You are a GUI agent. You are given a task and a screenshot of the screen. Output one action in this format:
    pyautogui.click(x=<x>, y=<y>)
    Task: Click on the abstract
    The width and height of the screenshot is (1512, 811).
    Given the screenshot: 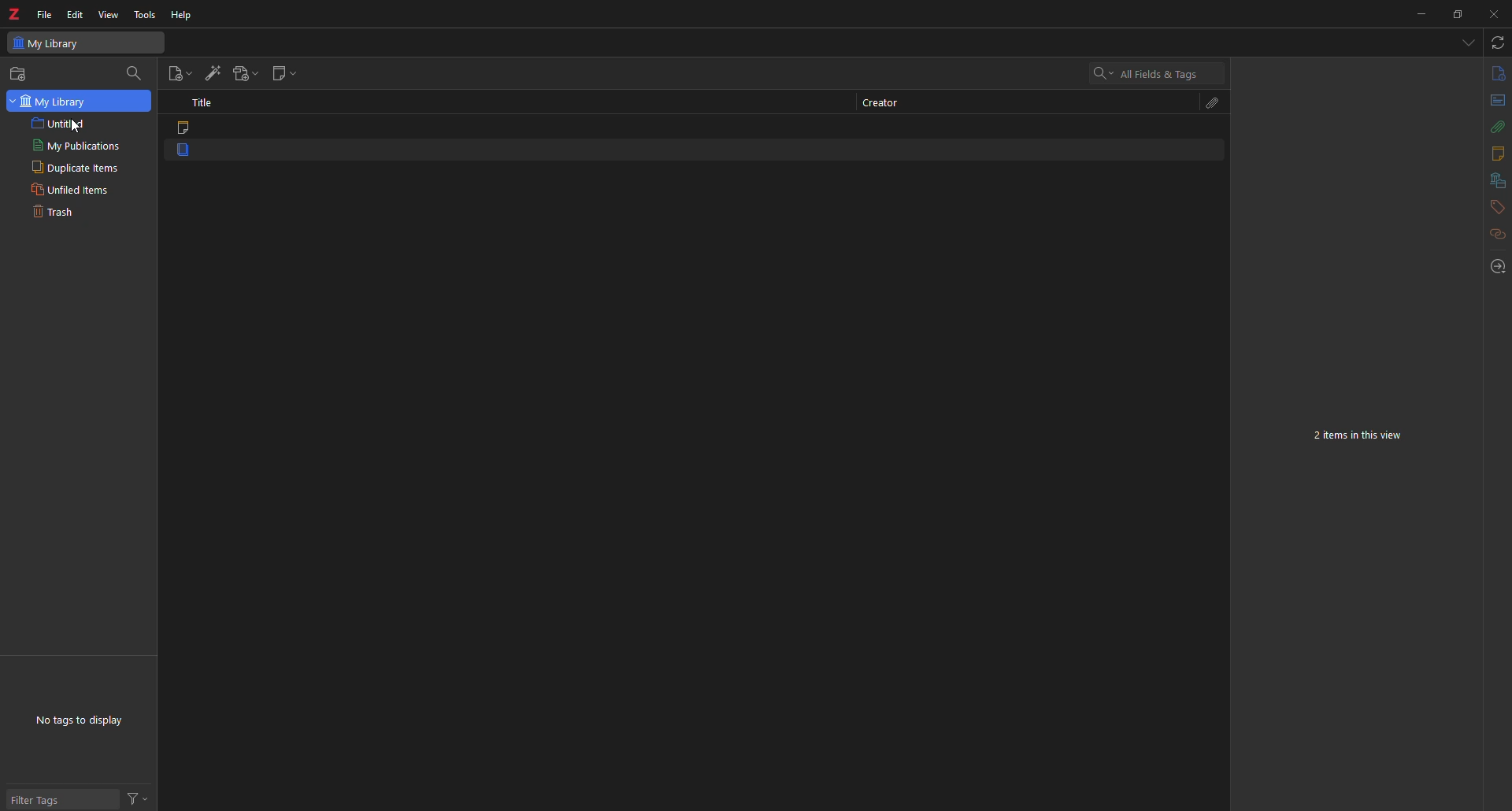 What is the action you would take?
    pyautogui.click(x=1496, y=101)
    